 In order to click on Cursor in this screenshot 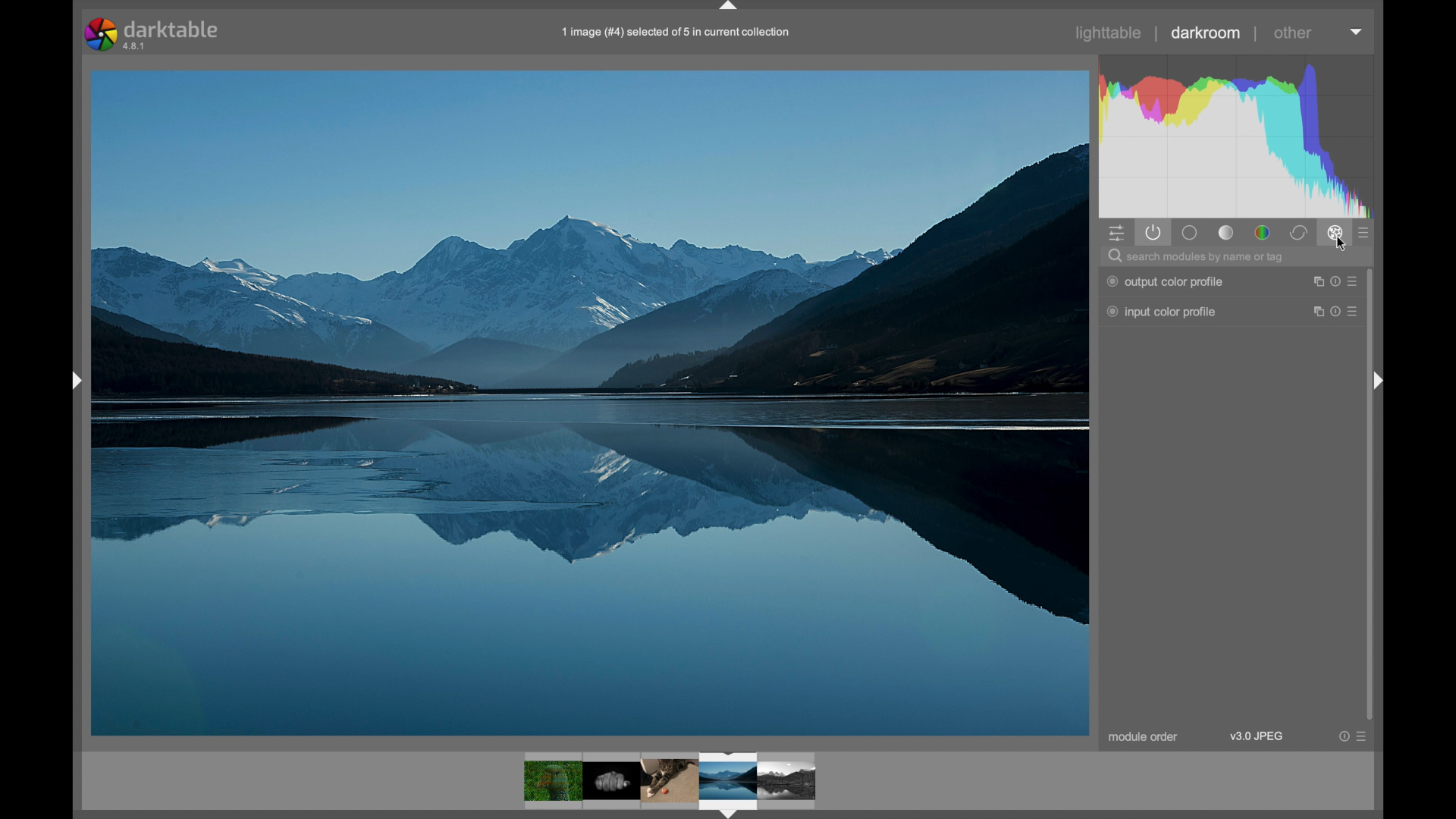, I will do `click(1339, 247)`.